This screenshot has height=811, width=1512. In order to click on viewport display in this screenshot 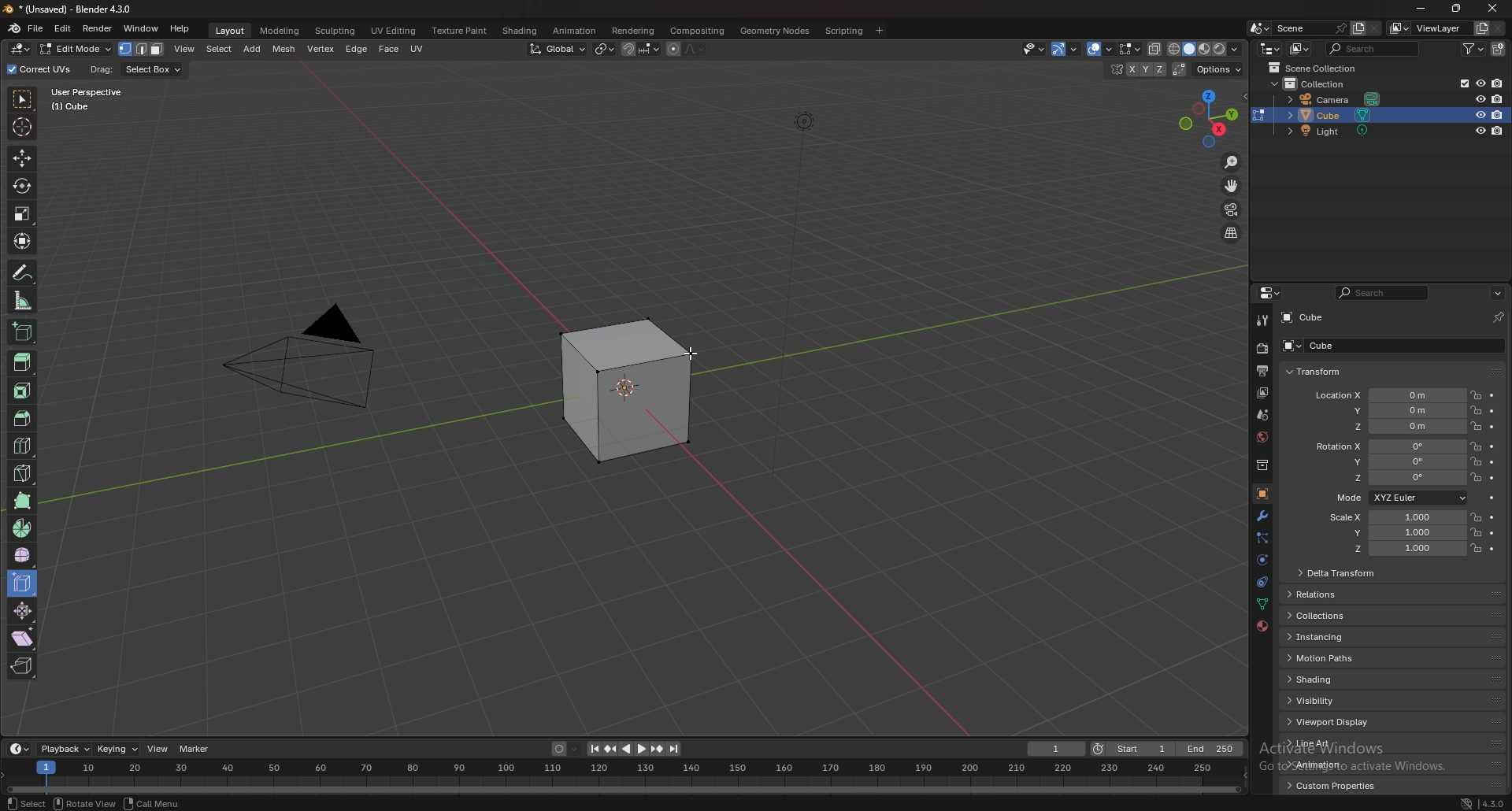, I will do `click(1336, 722)`.